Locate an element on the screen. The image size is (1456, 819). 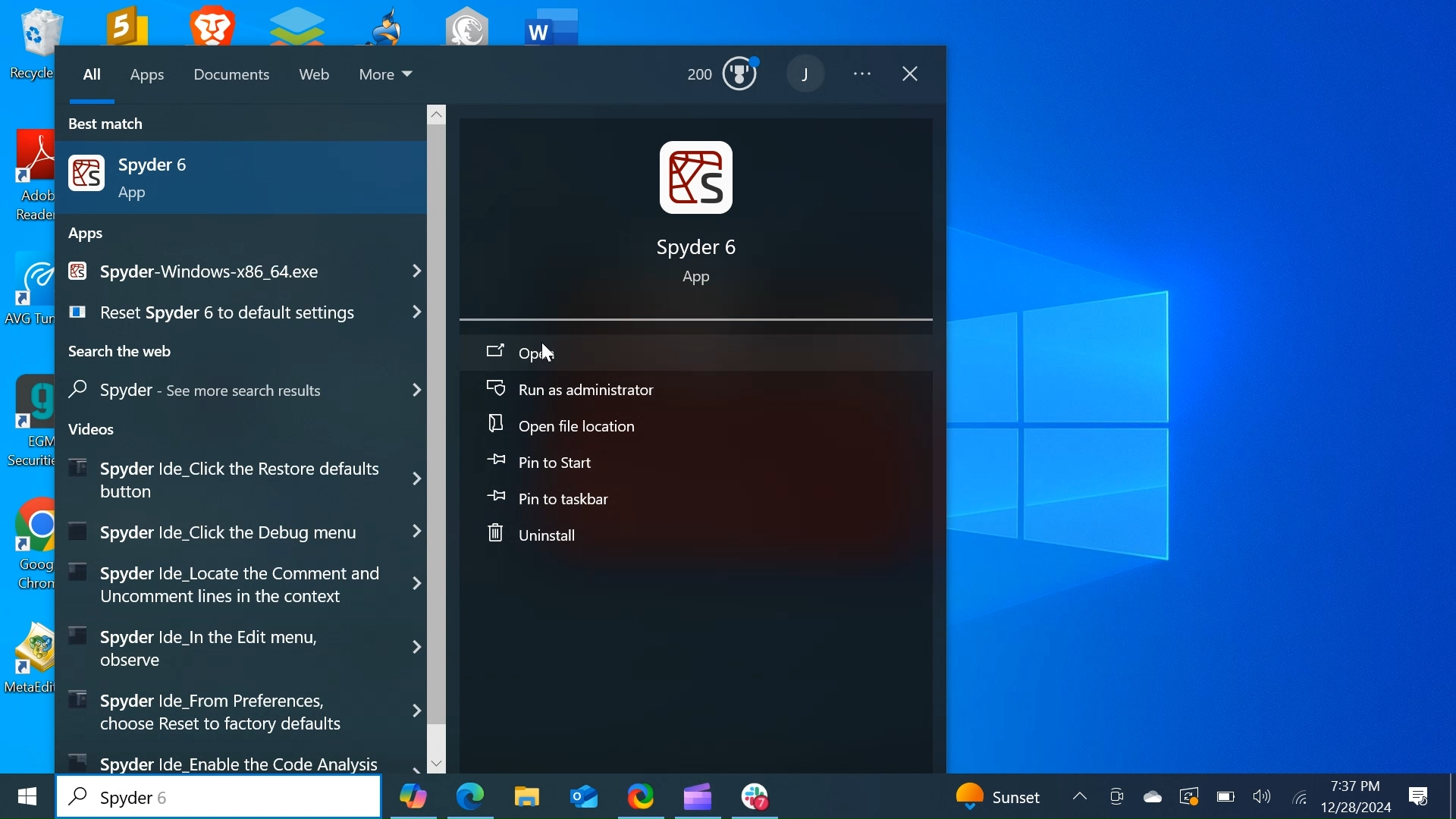
Pin to Start is located at coordinates (695, 463).